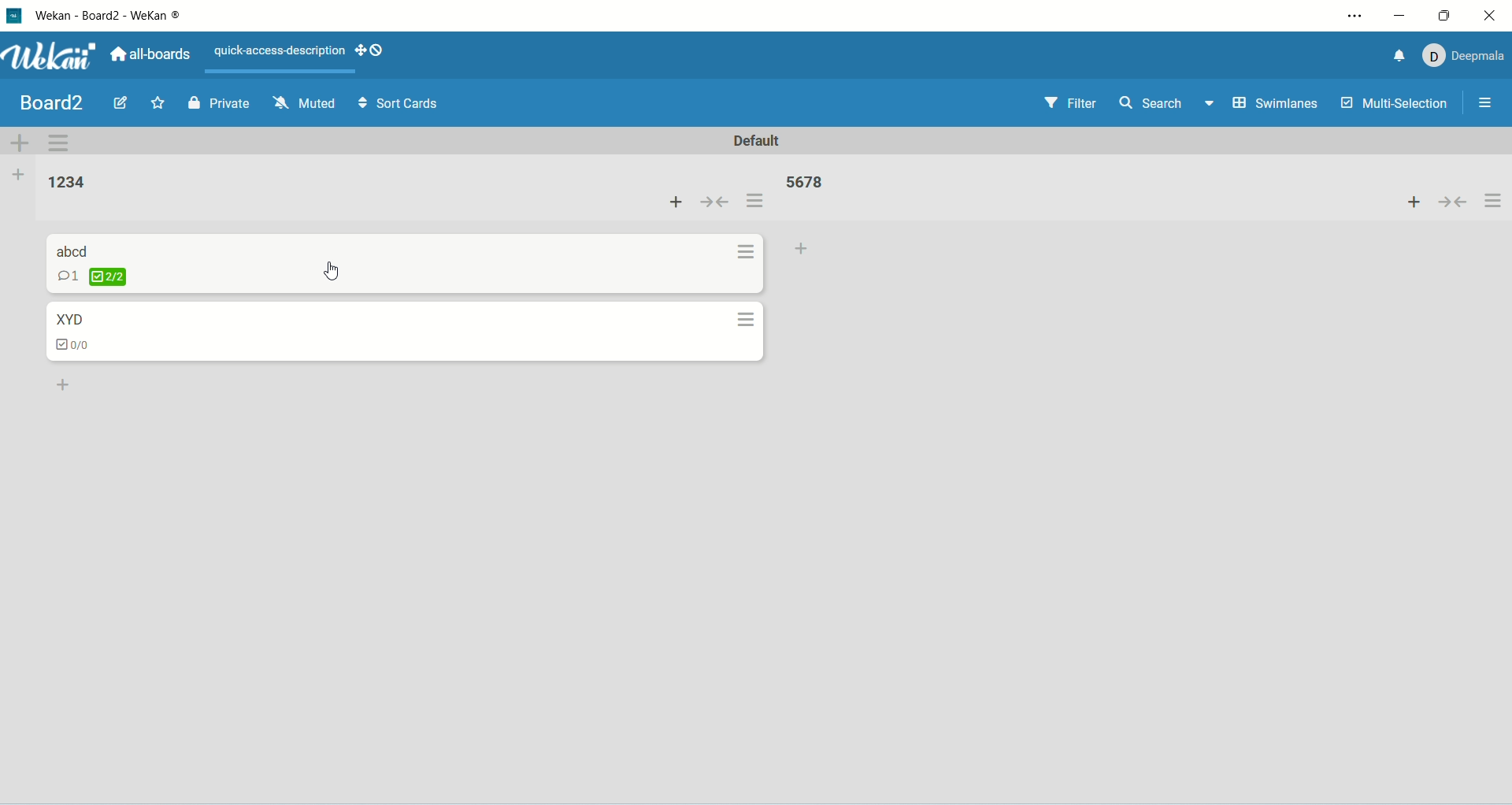 The width and height of the screenshot is (1512, 805). What do you see at coordinates (762, 143) in the screenshot?
I see `default` at bounding box center [762, 143].